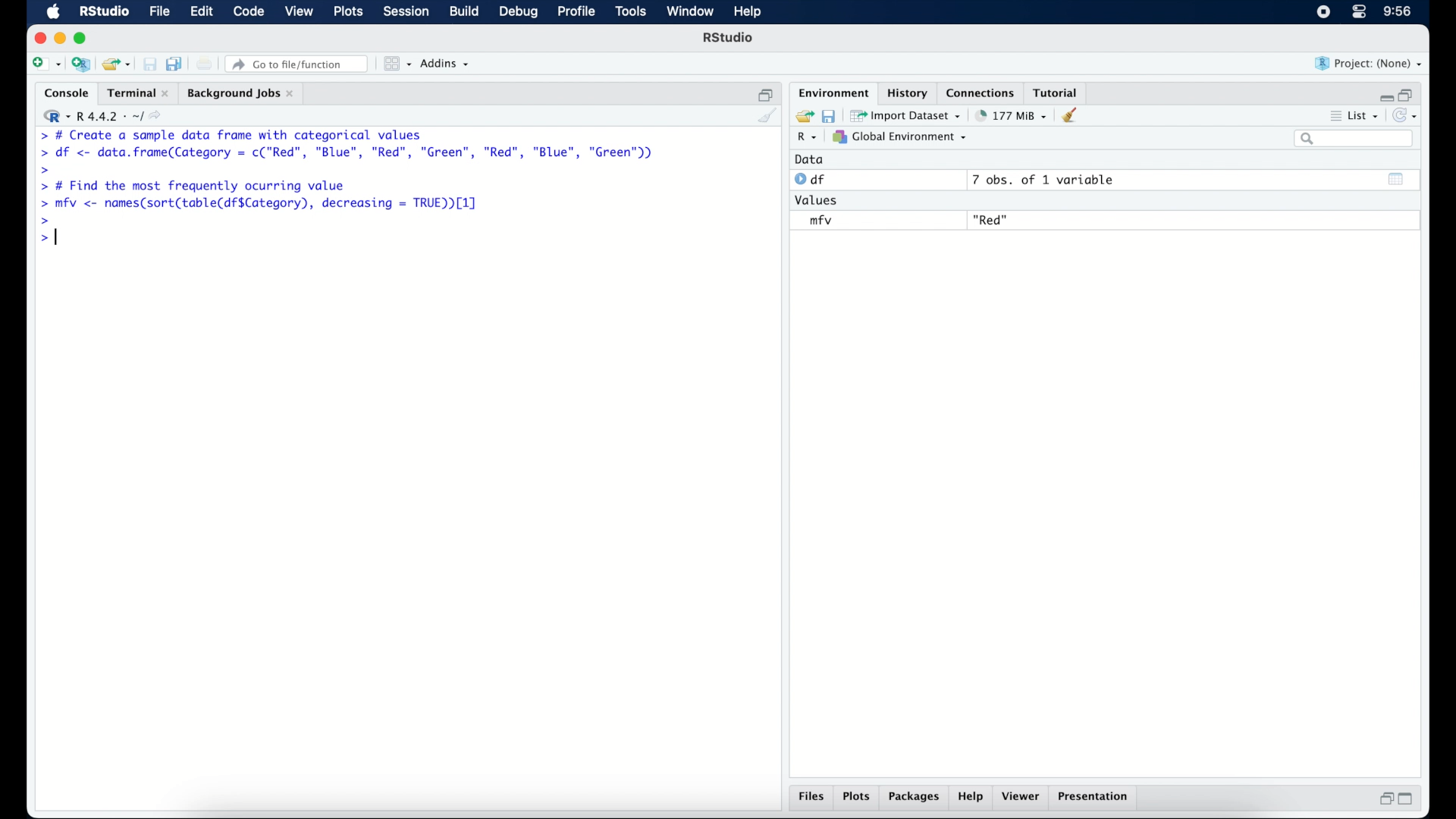 The image size is (1456, 819). I want to click on packages, so click(915, 799).